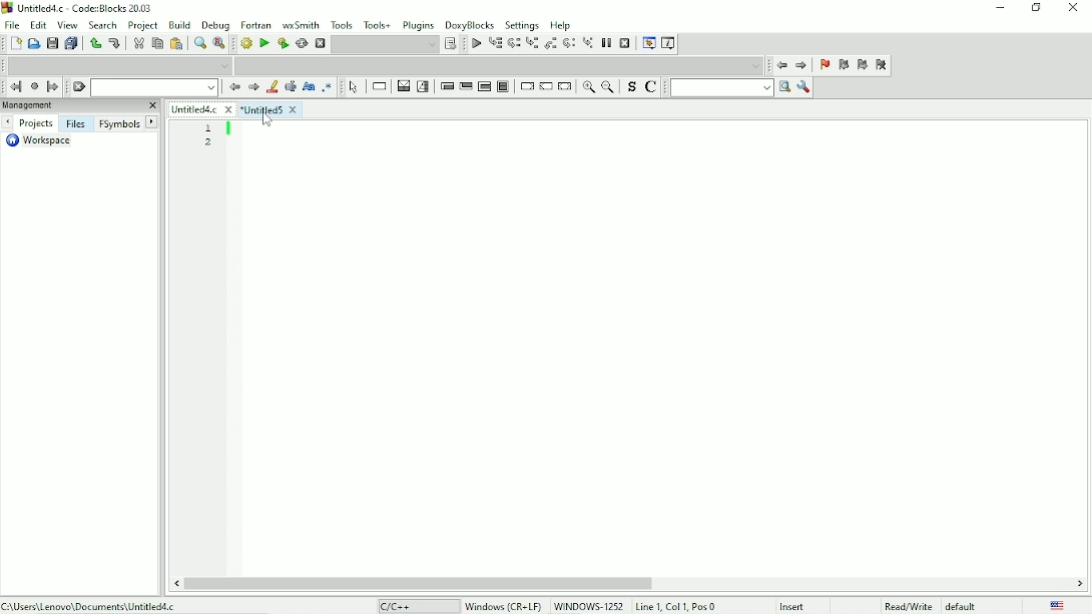 The image size is (1092, 614). What do you see at coordinates (247, 44) in the screenshot?
I see `Build` at bounding box center [247, 44].